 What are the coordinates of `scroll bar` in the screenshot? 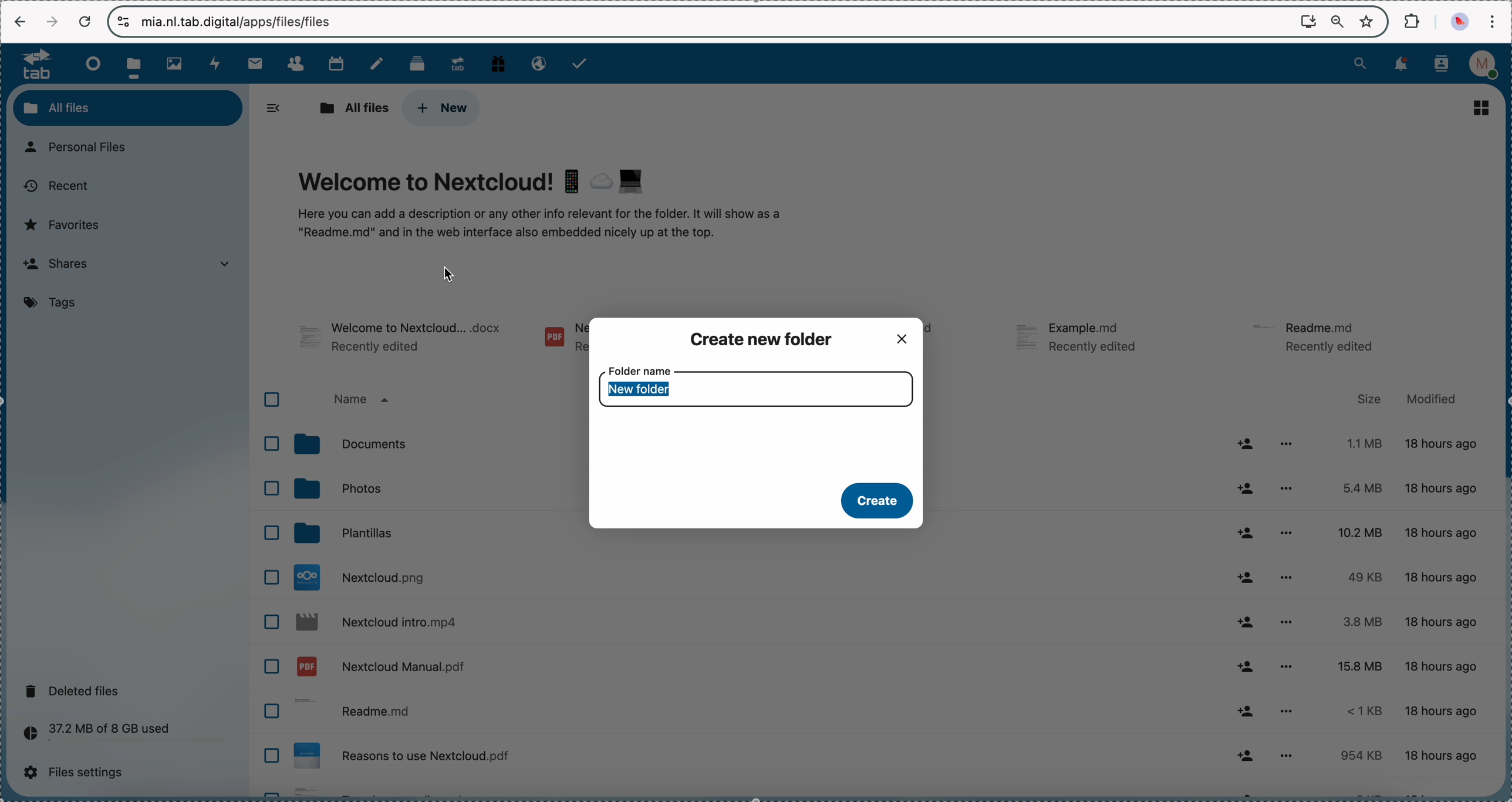 It's located at (1503, 312).